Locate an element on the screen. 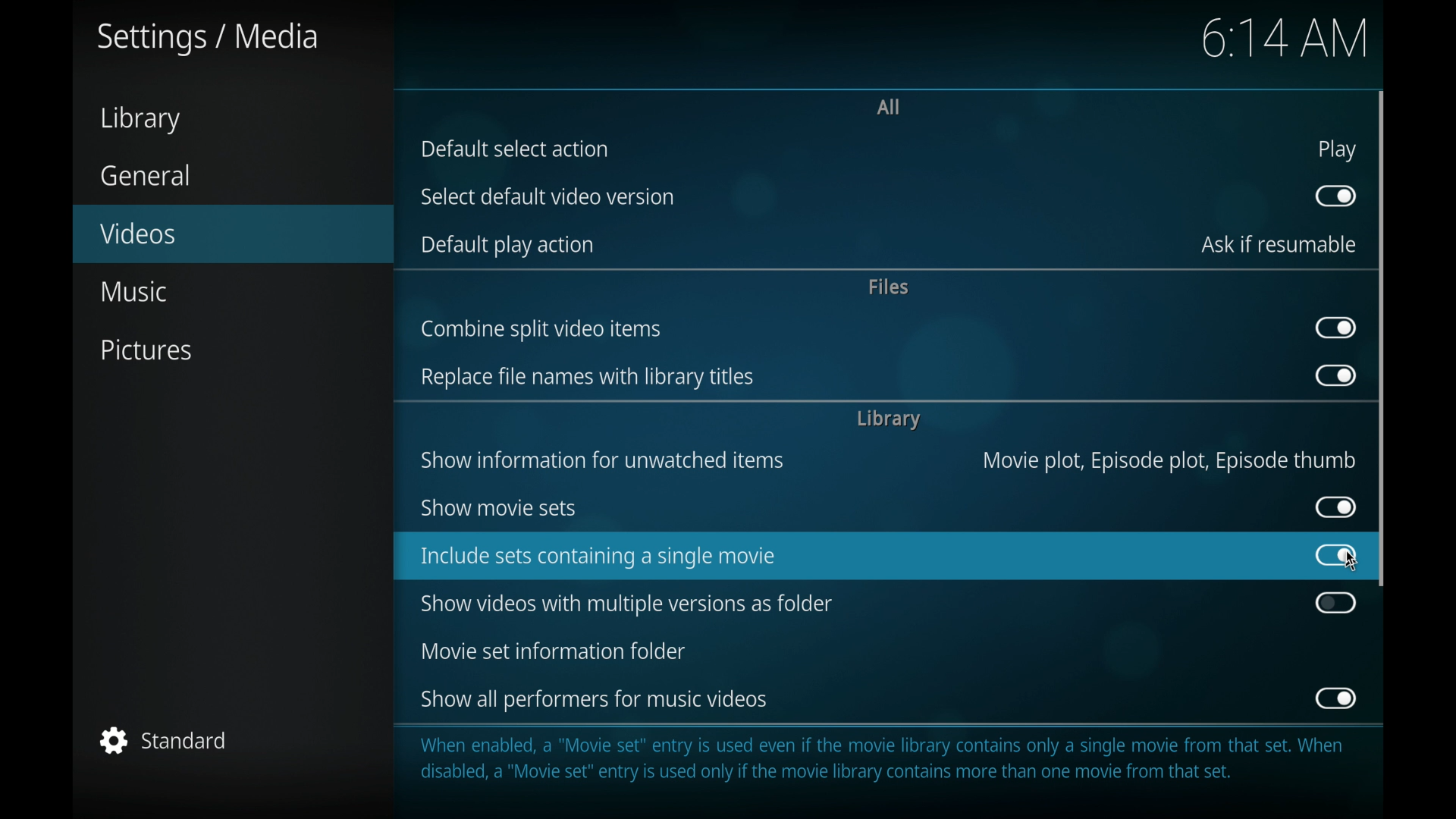 This screenshot has width=1456, height=819. library is located at coordinates (888, 419).